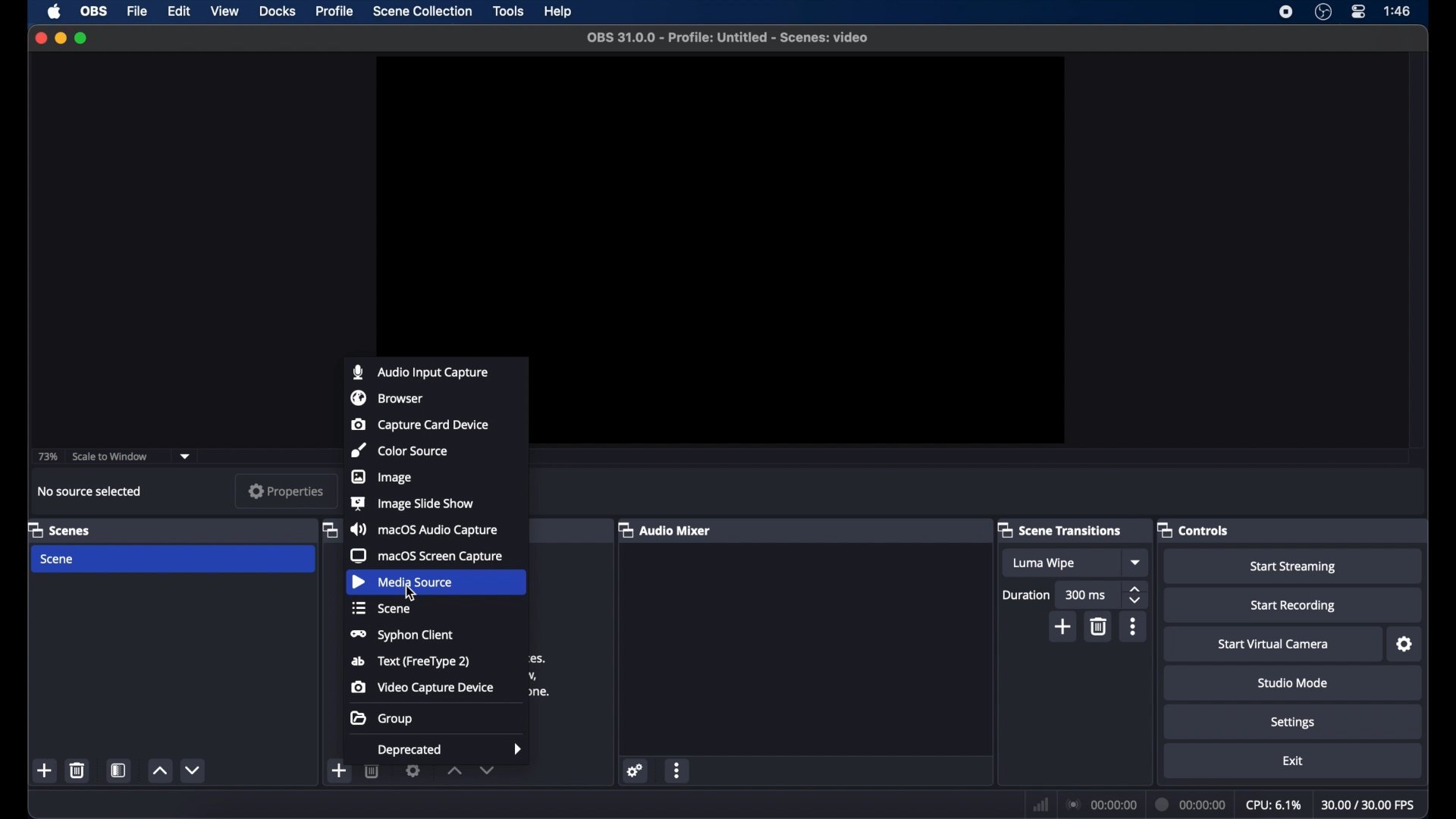 This screenshot has width=1456, height=819. What do you see at coordinates (56, 11) in the screenshot?
I see `apple icon` at bounding box center [56, 11].